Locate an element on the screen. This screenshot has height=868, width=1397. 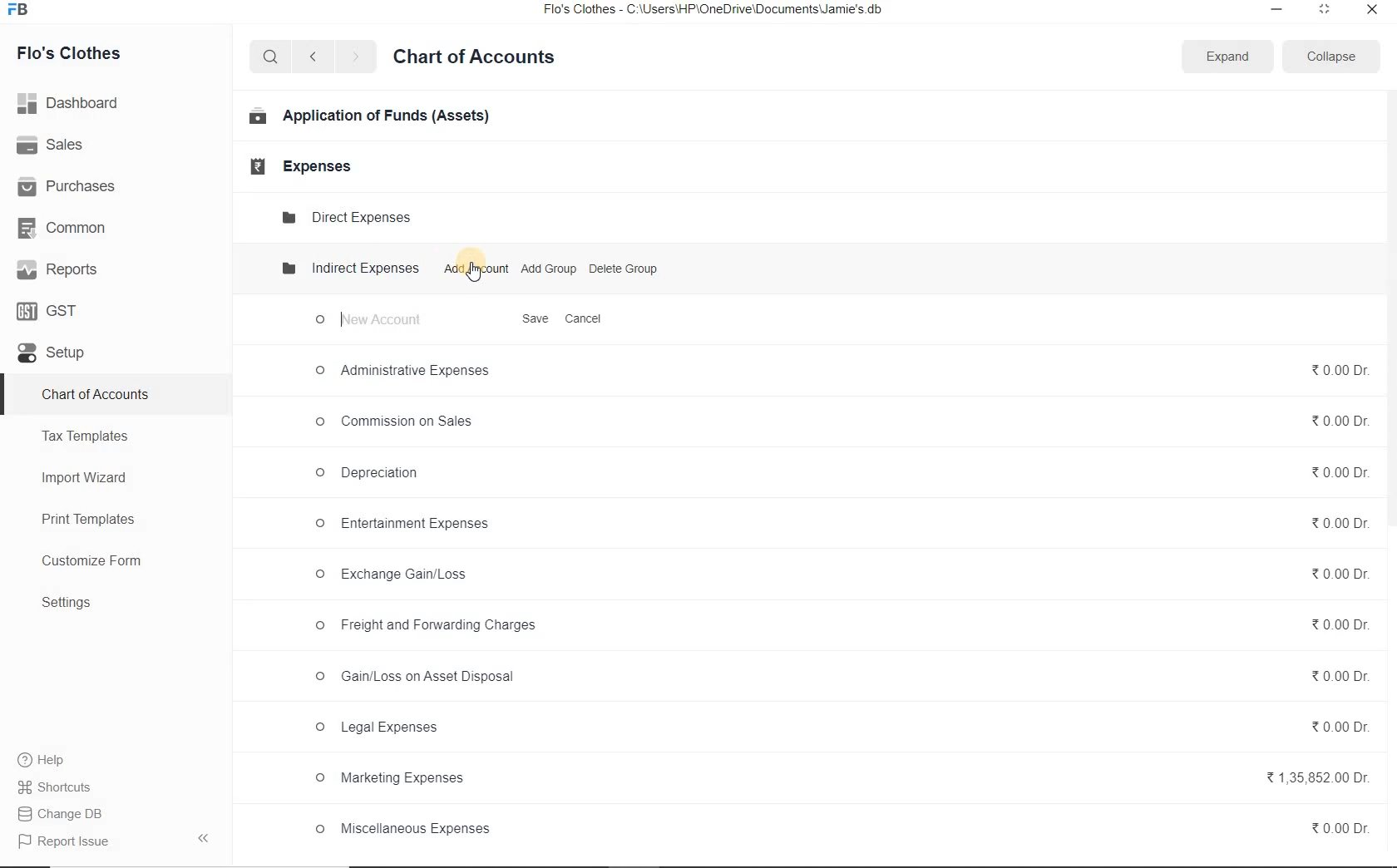
© Depreciation 20.000r is located at coordinates (842, 471).